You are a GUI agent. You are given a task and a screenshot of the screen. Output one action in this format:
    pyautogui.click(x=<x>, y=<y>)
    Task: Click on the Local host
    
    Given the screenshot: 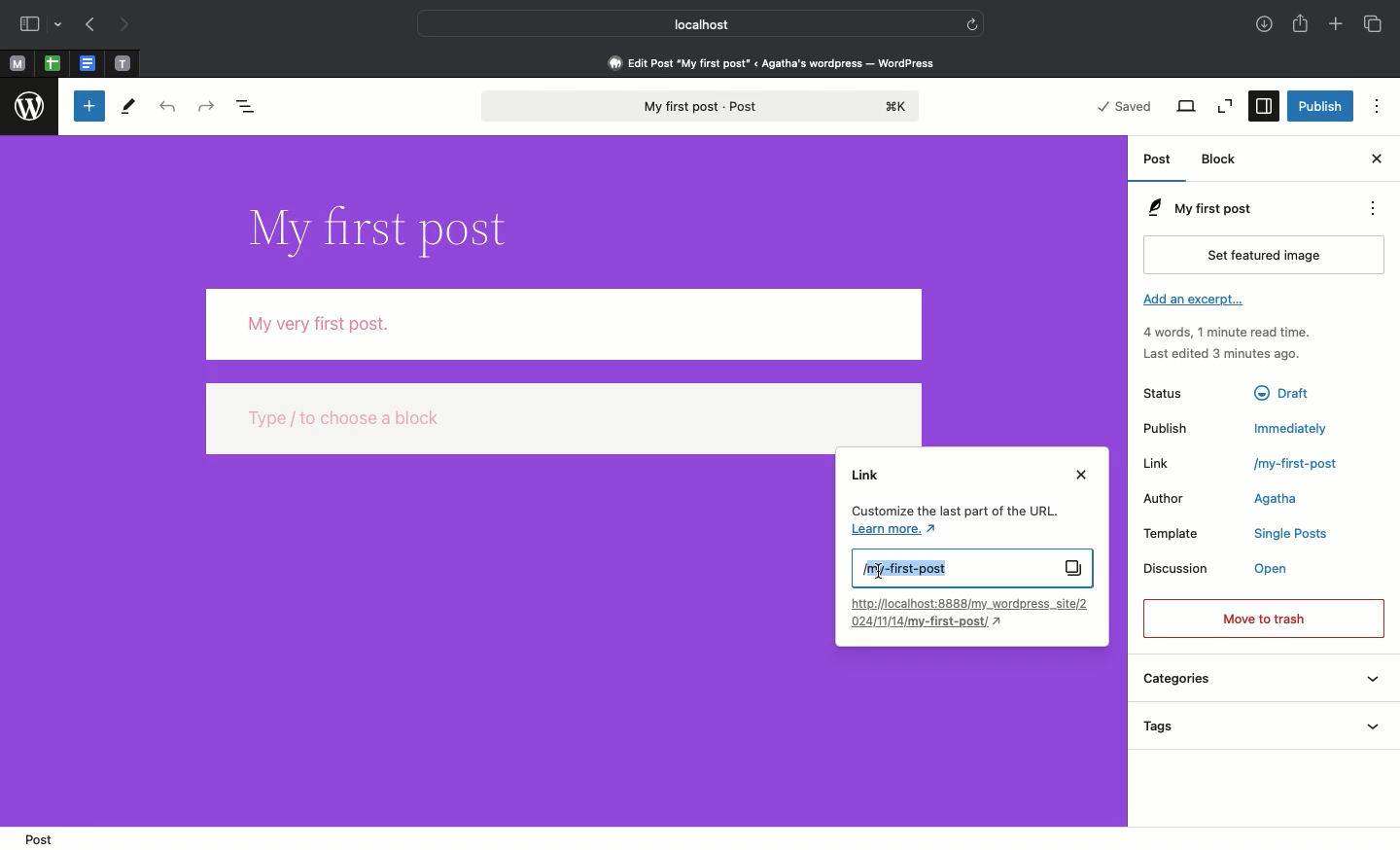 What is the action you would take?
    pyautogui.click(x=686, y=21)
    